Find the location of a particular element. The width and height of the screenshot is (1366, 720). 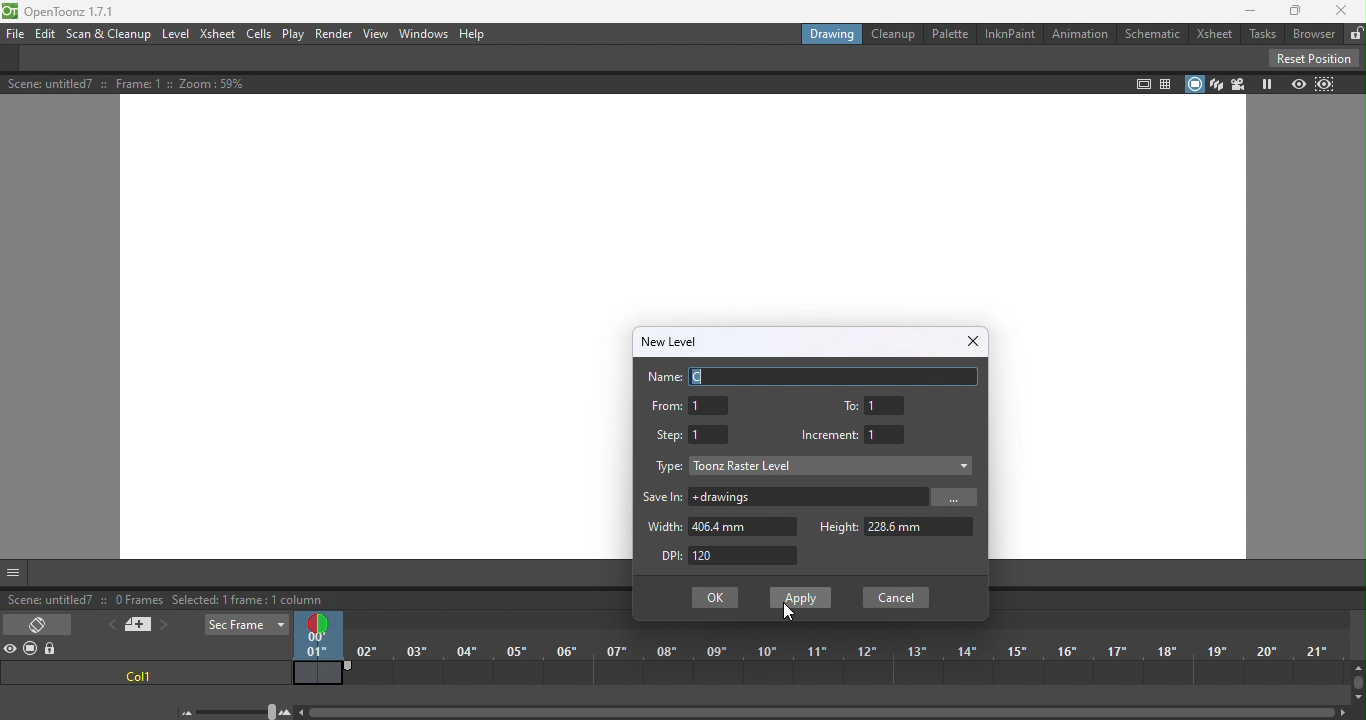

Cancel is located at coordinates (892, 598).